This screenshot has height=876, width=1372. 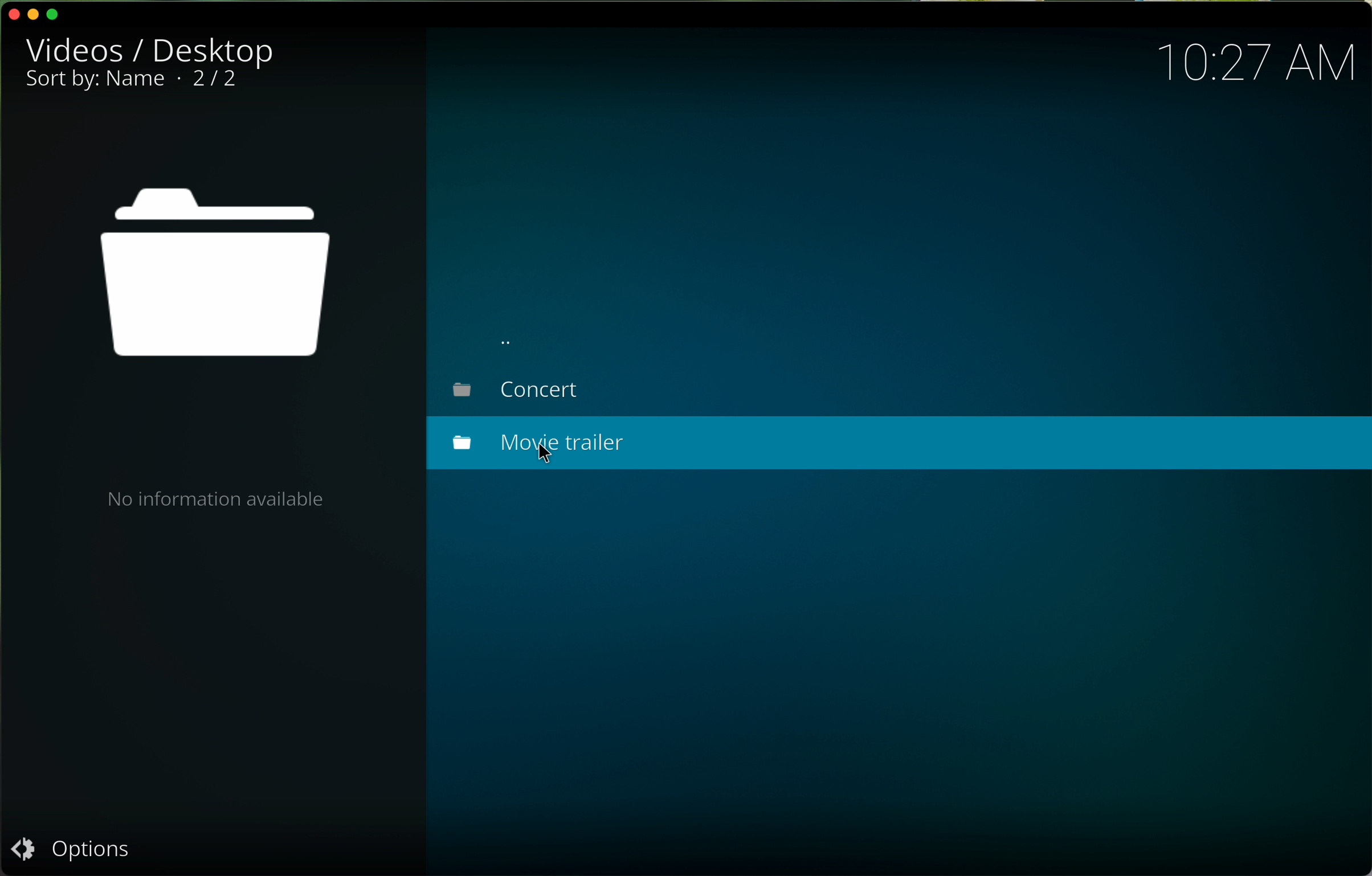 I want to click on maximise, so click(x=59, y=13).